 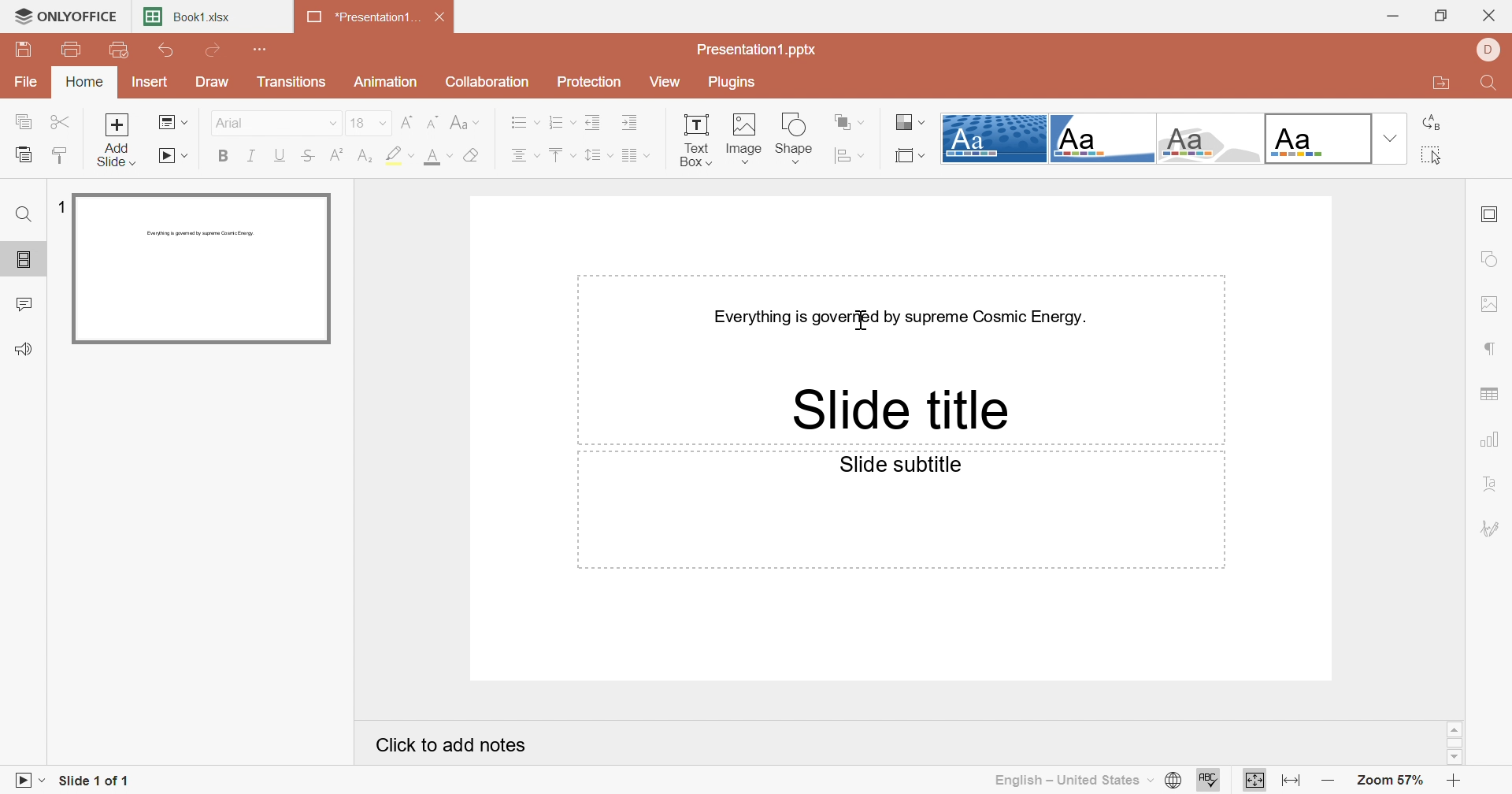 I want to click on superscript, so click(x=335, y=154).